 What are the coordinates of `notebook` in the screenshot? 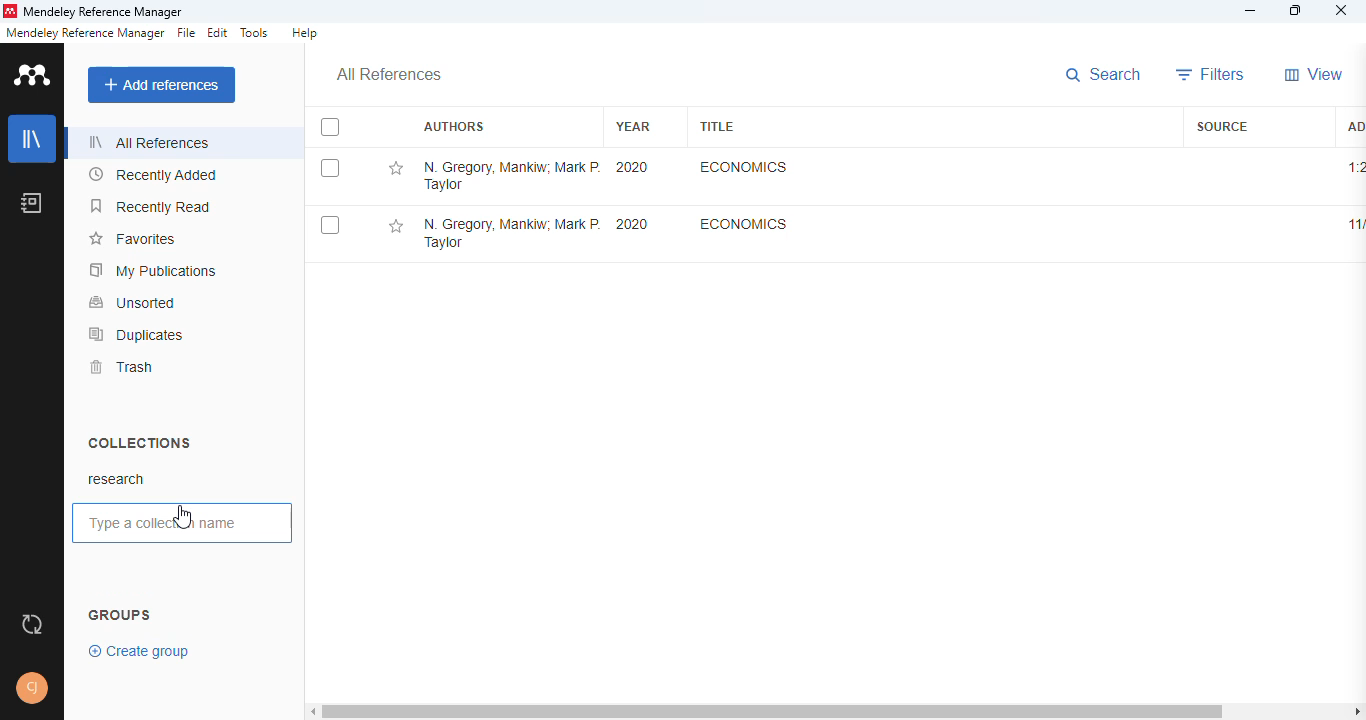 It's located at (32, 202).